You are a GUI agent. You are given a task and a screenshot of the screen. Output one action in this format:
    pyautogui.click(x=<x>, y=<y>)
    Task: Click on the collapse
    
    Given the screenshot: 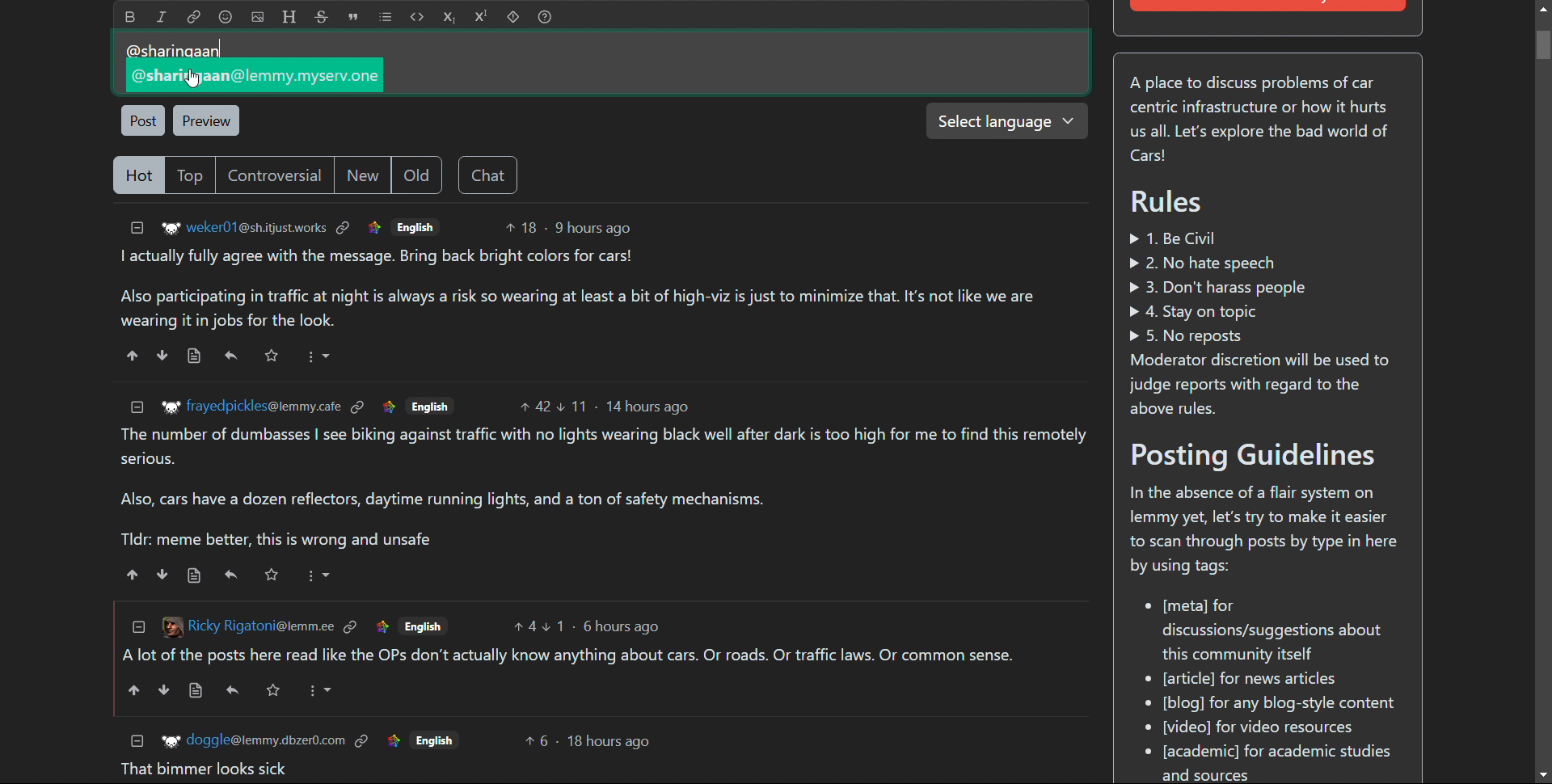 What is the action you would take?
    pyautogui.click(x=137, y=229)
    